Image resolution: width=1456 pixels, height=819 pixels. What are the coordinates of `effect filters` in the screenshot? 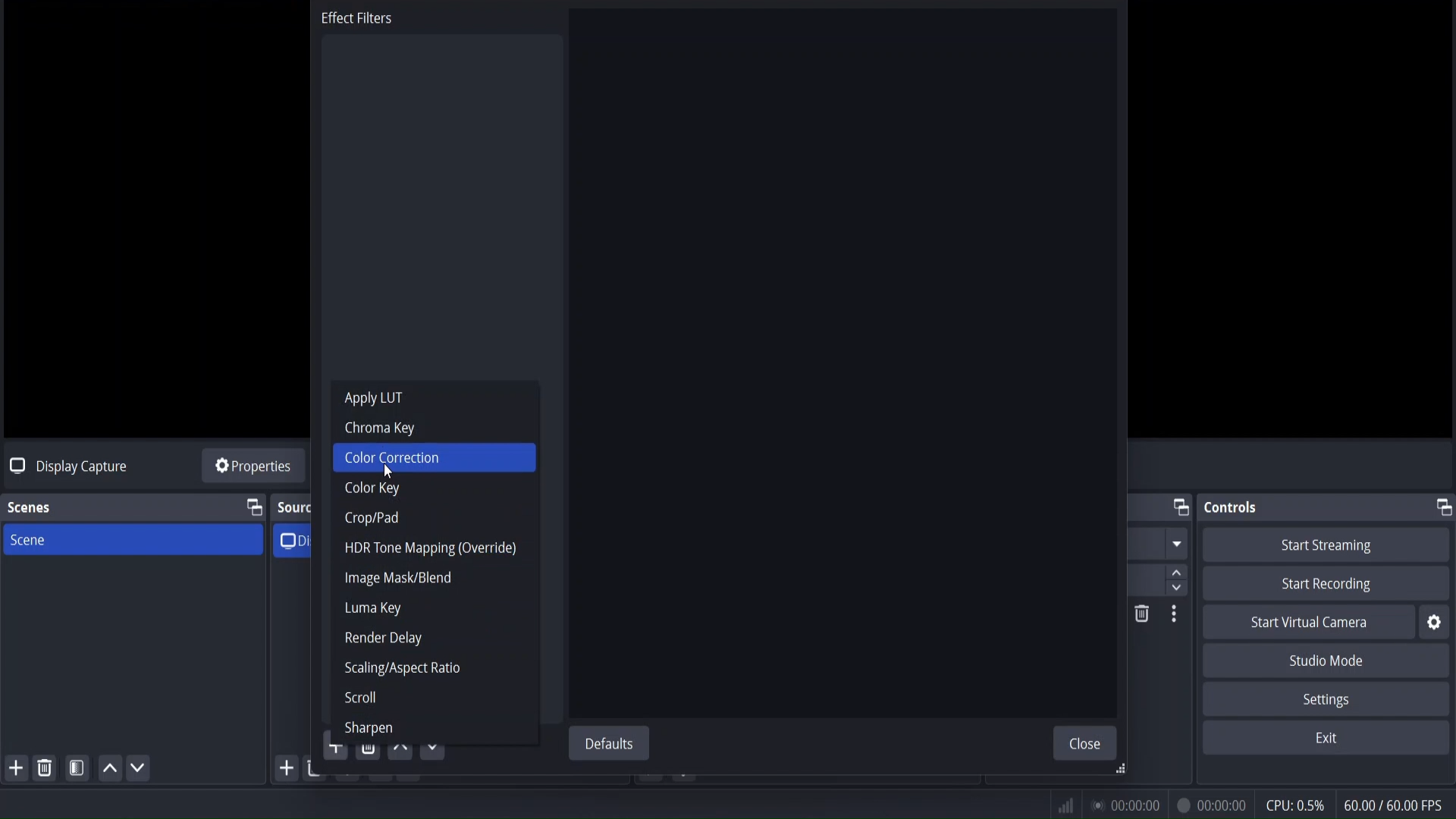 It's located at (358, 21).